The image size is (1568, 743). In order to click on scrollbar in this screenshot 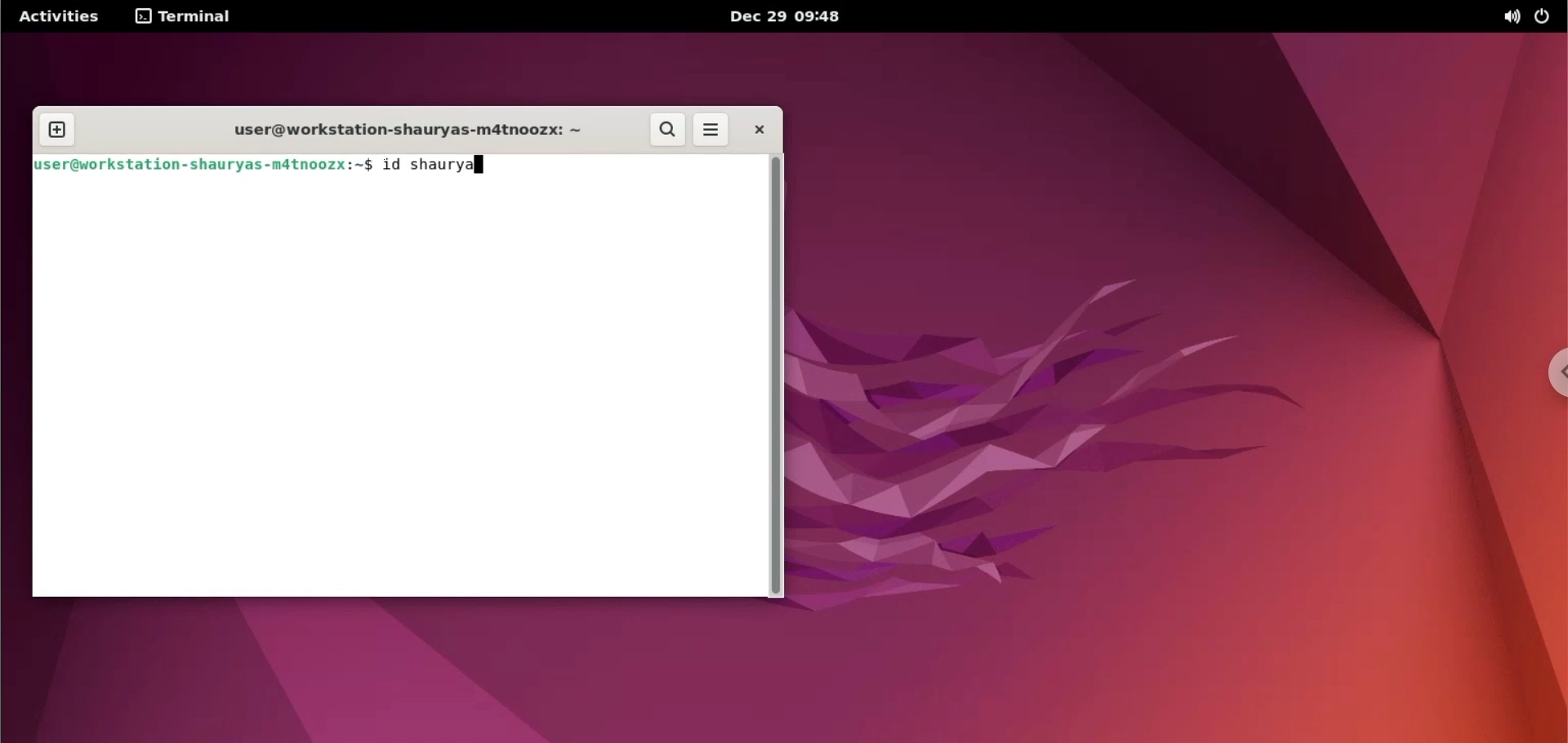, I will do `click(780, 376)`.